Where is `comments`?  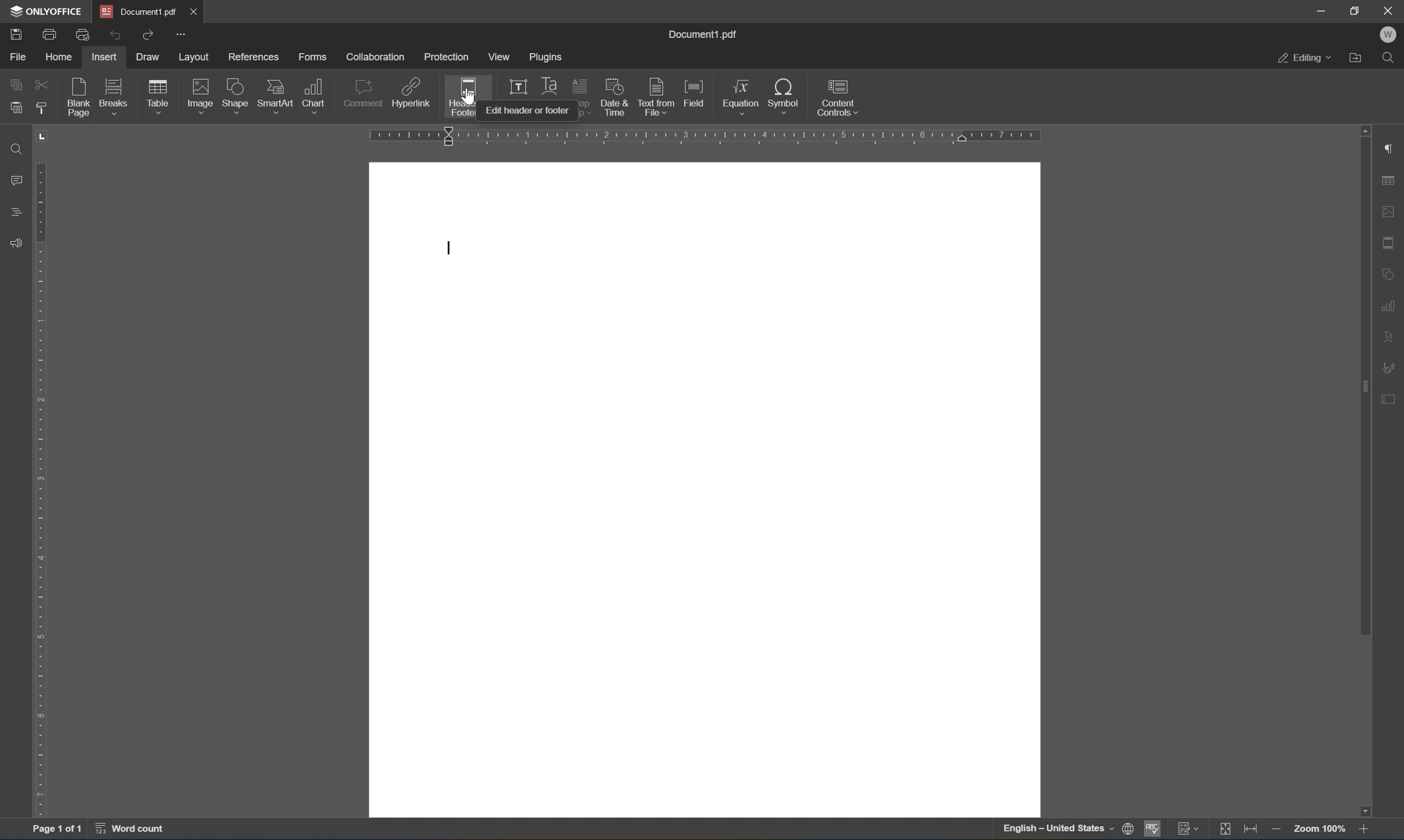
comments is located at coordinates (15, 179).